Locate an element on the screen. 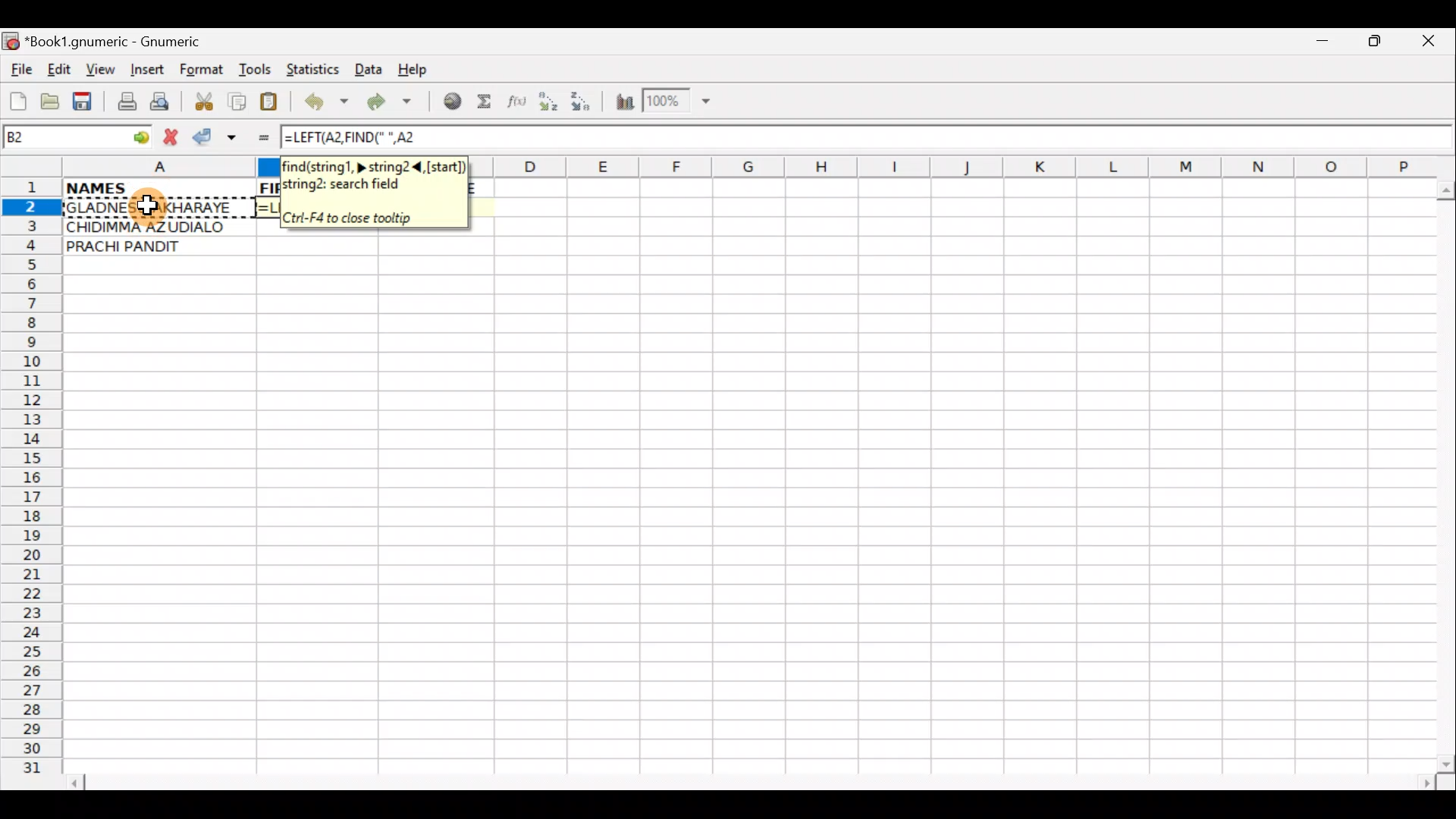  View is located at coordinates (96, 69).